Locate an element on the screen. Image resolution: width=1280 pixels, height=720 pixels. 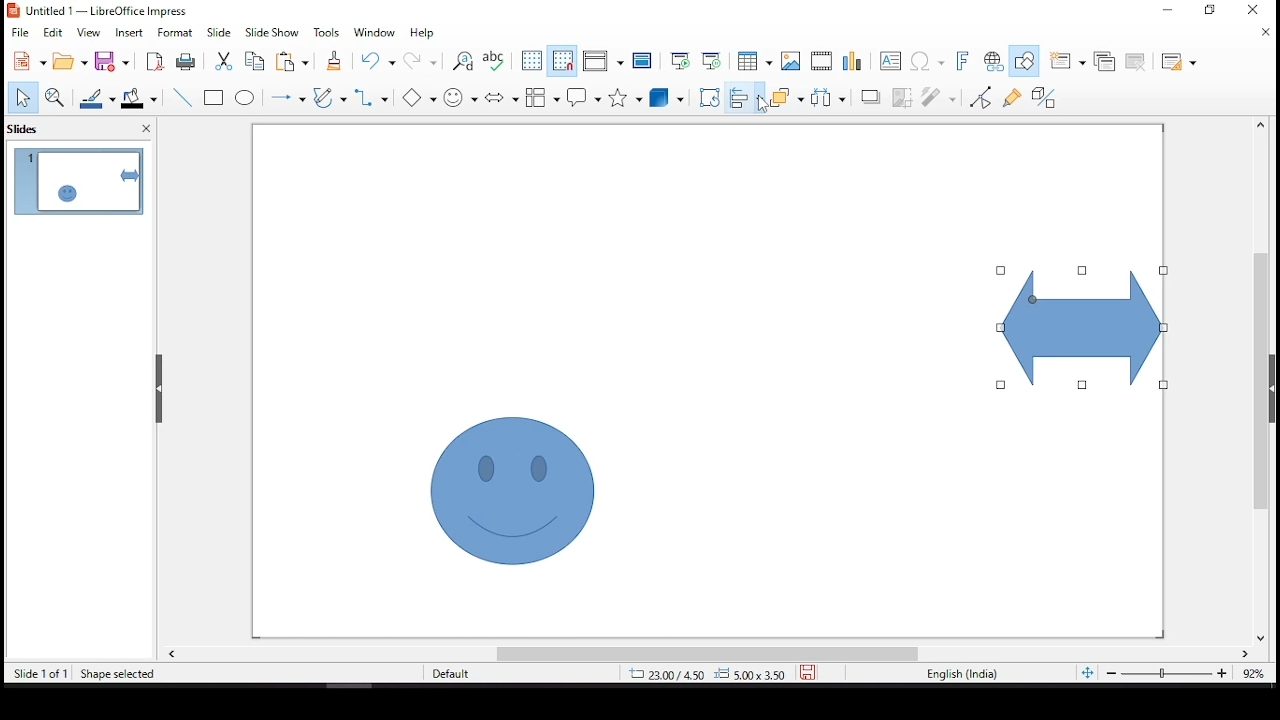
rotate is located at coordinates (709, 97).